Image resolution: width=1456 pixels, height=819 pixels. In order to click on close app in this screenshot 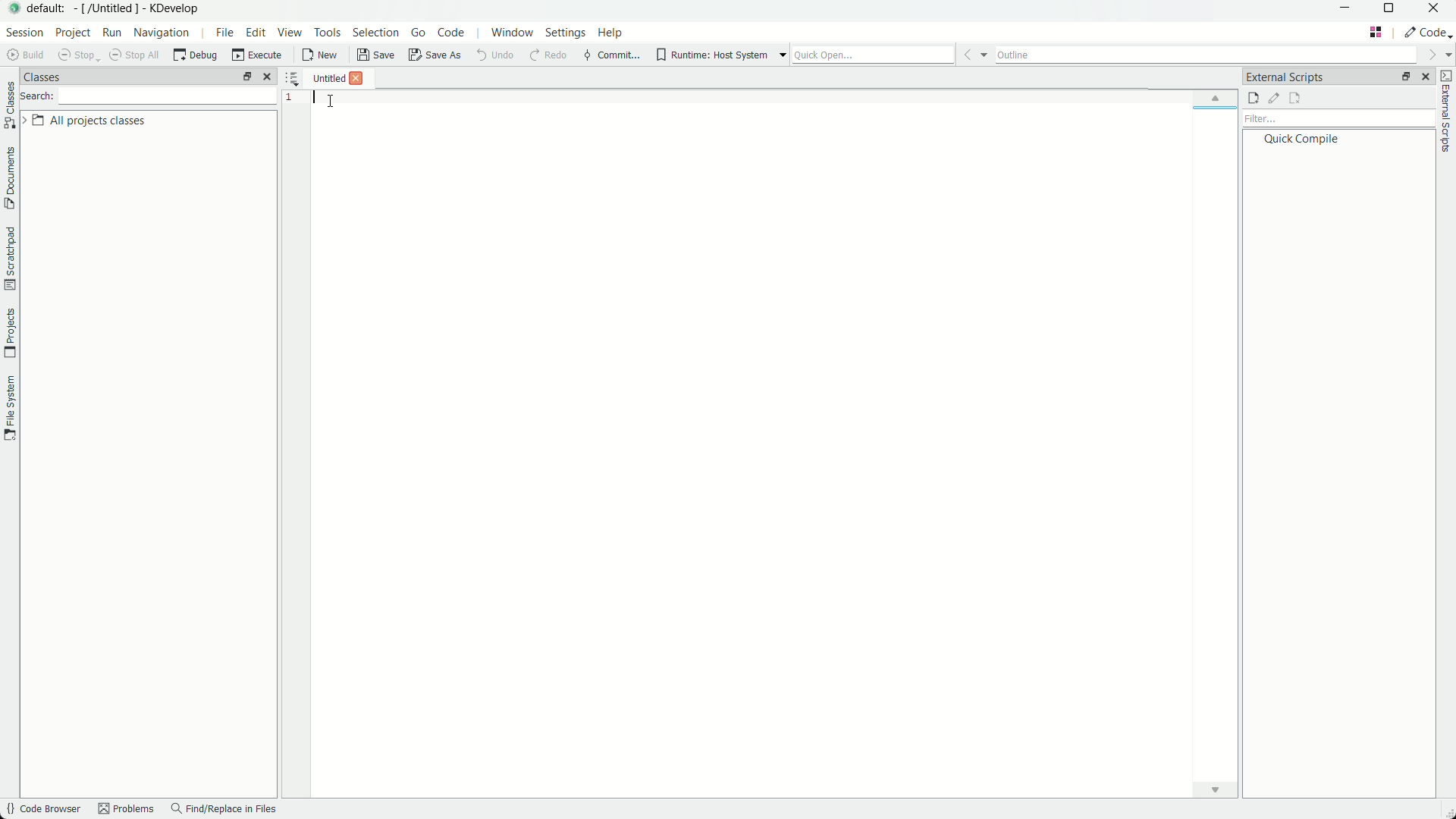, I will do `click(1437, 12)`.